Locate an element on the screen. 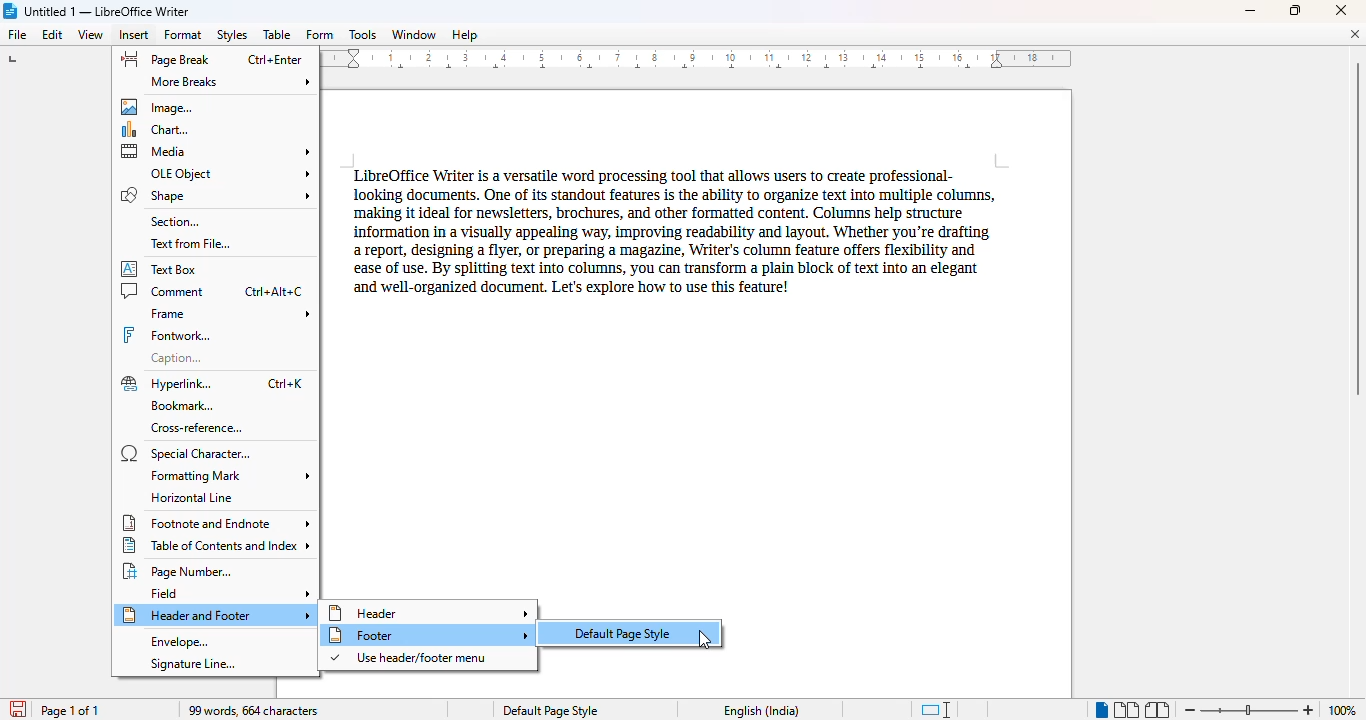  fontwork is located at coordinates (167, 335).